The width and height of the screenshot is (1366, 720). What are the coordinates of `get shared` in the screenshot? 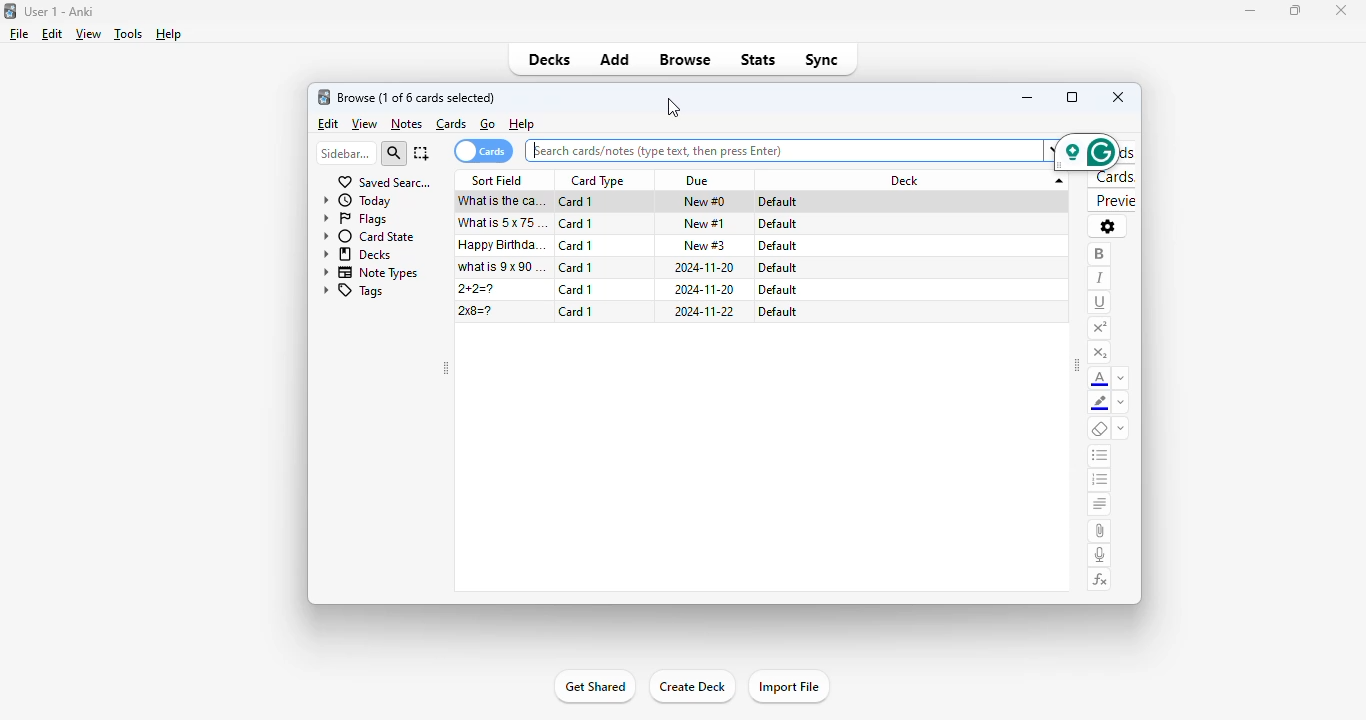 It's located at (594, 687).